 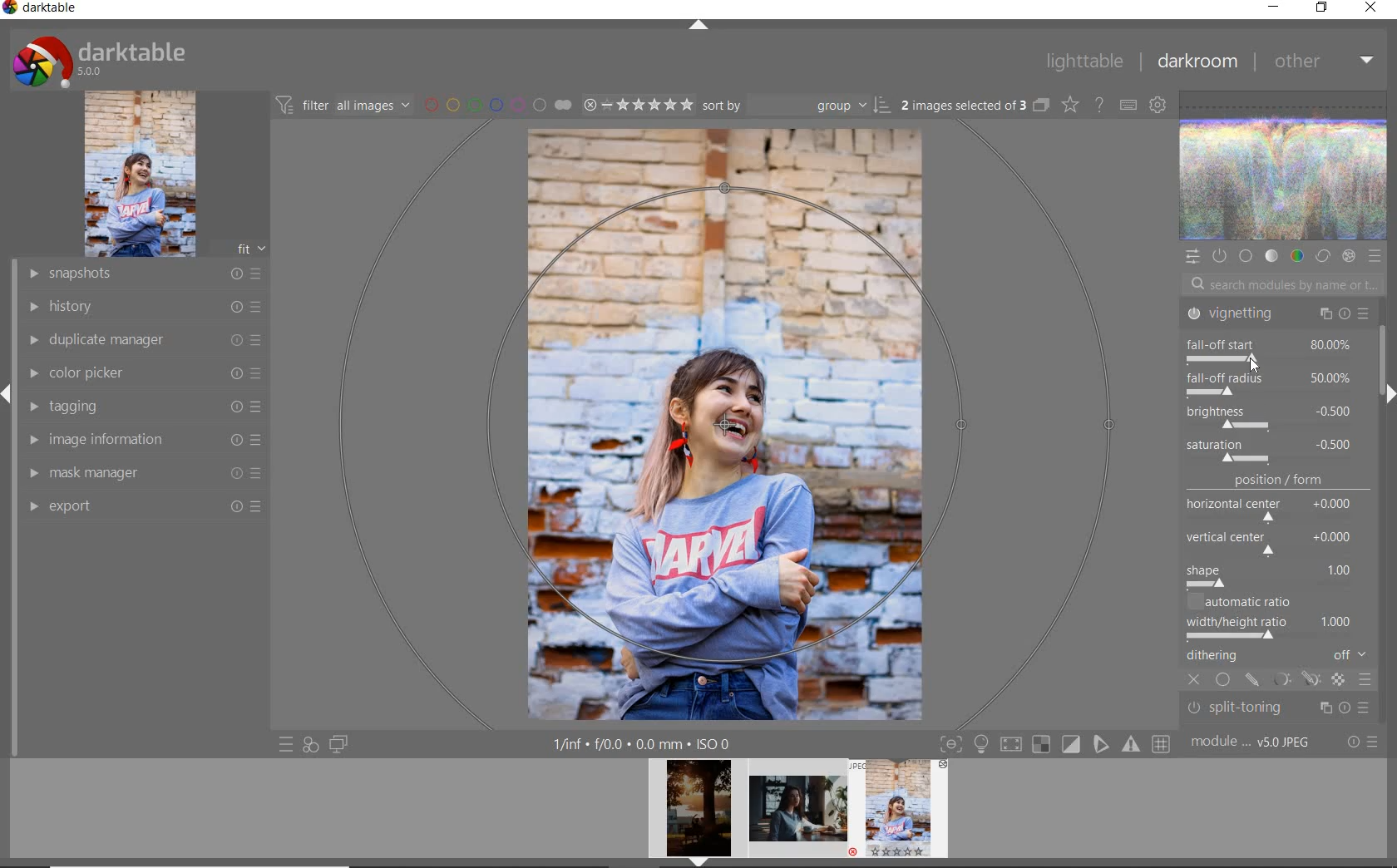 I want to click on tone, so click(x=1272, y=257).